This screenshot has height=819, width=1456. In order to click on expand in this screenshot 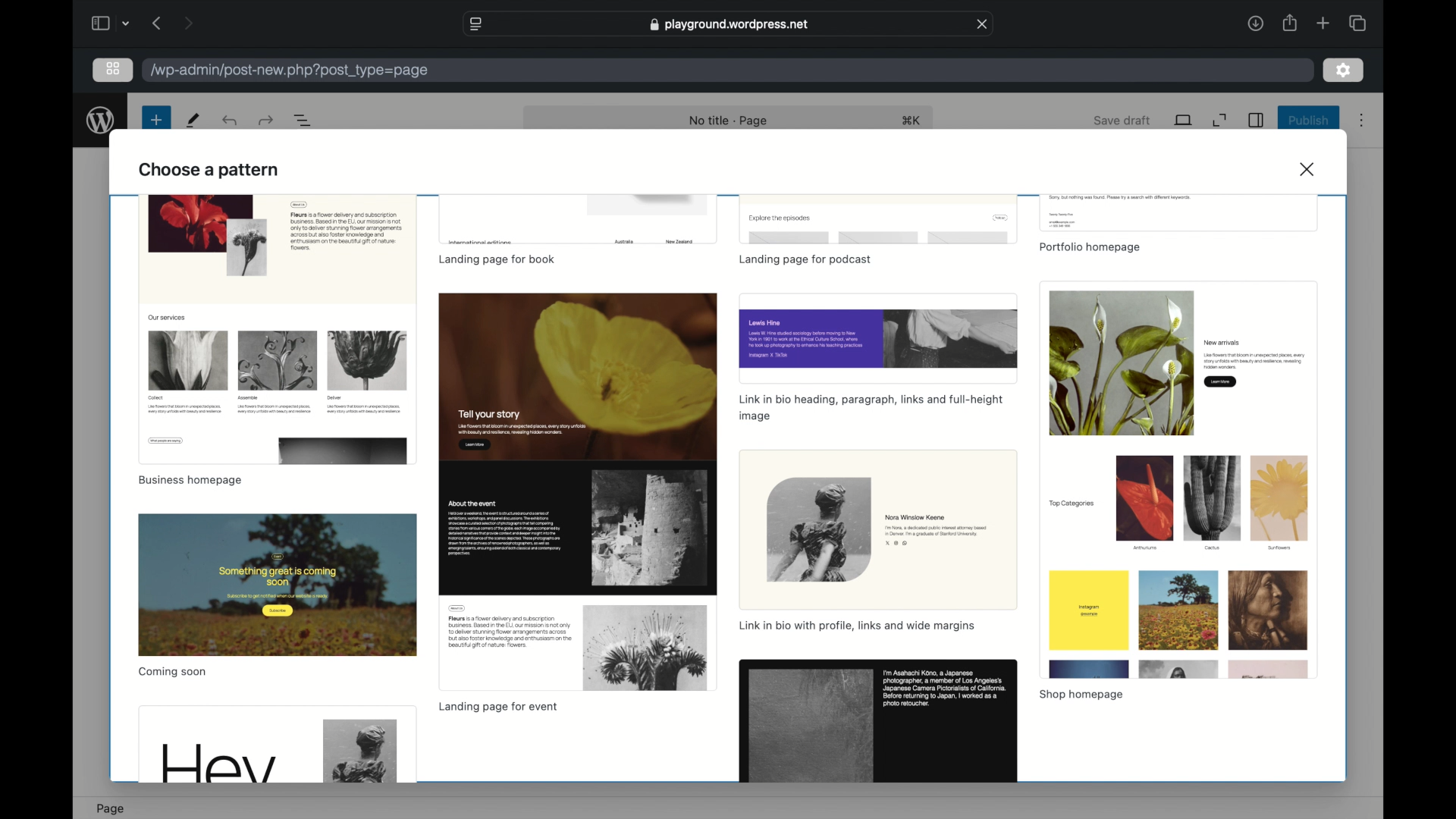, I will do `click(1220, 120)`.